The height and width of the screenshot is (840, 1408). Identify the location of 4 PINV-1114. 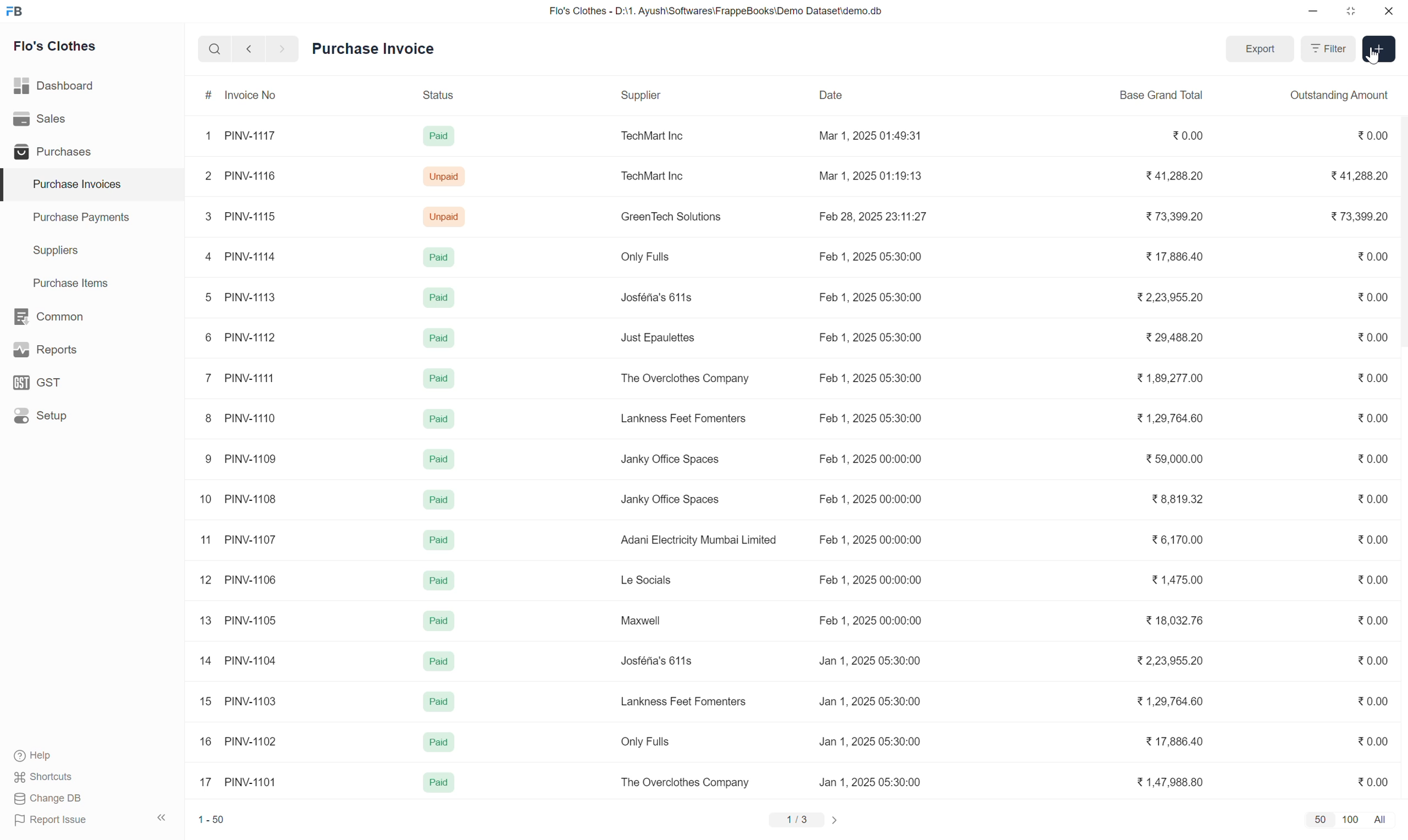
(242, 257).